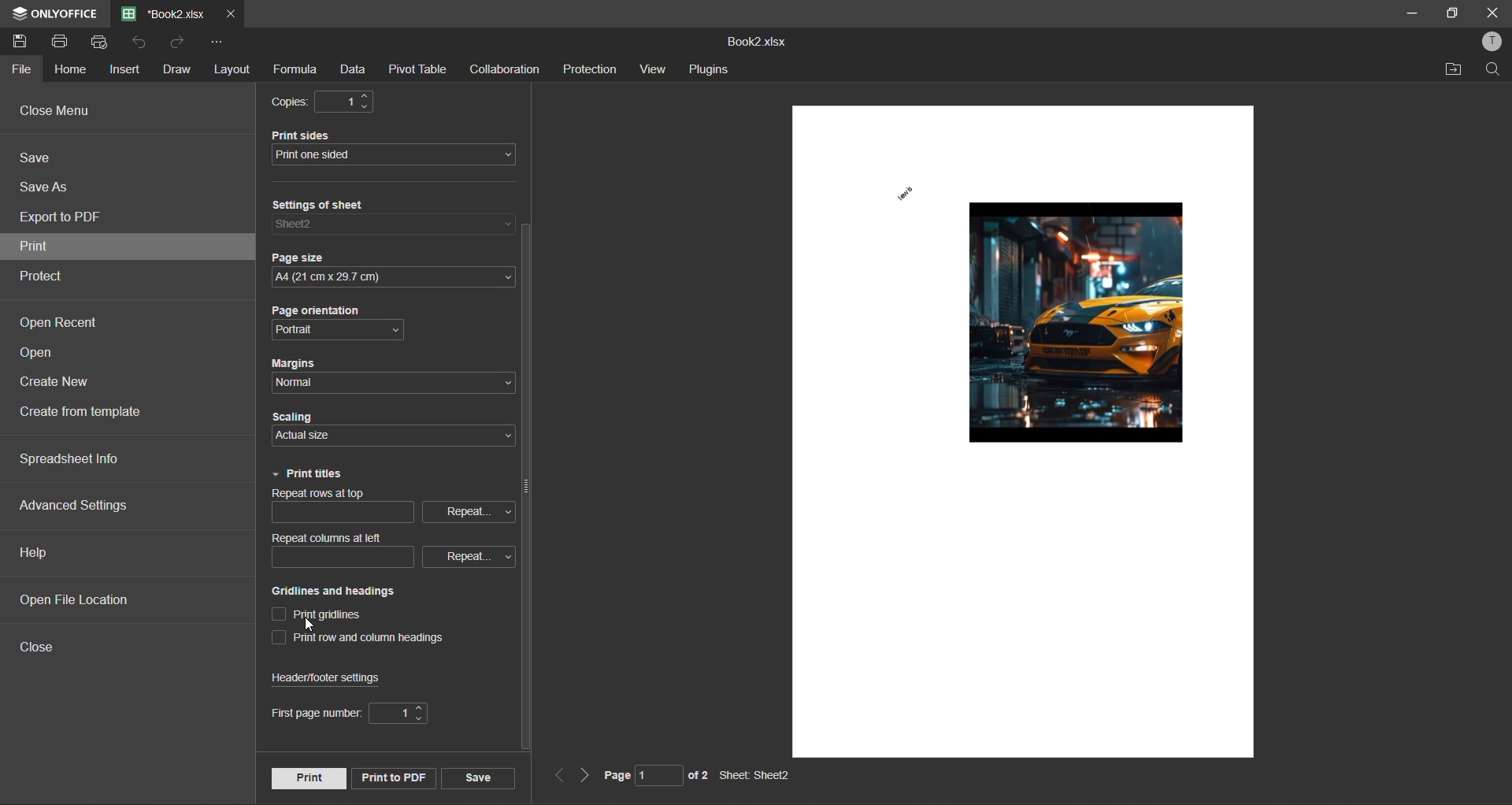 The image size is (1512, 805). Describe the element at coordinates (212, 42) in the screenshot. I see `customize quick access toolbar` at that location.